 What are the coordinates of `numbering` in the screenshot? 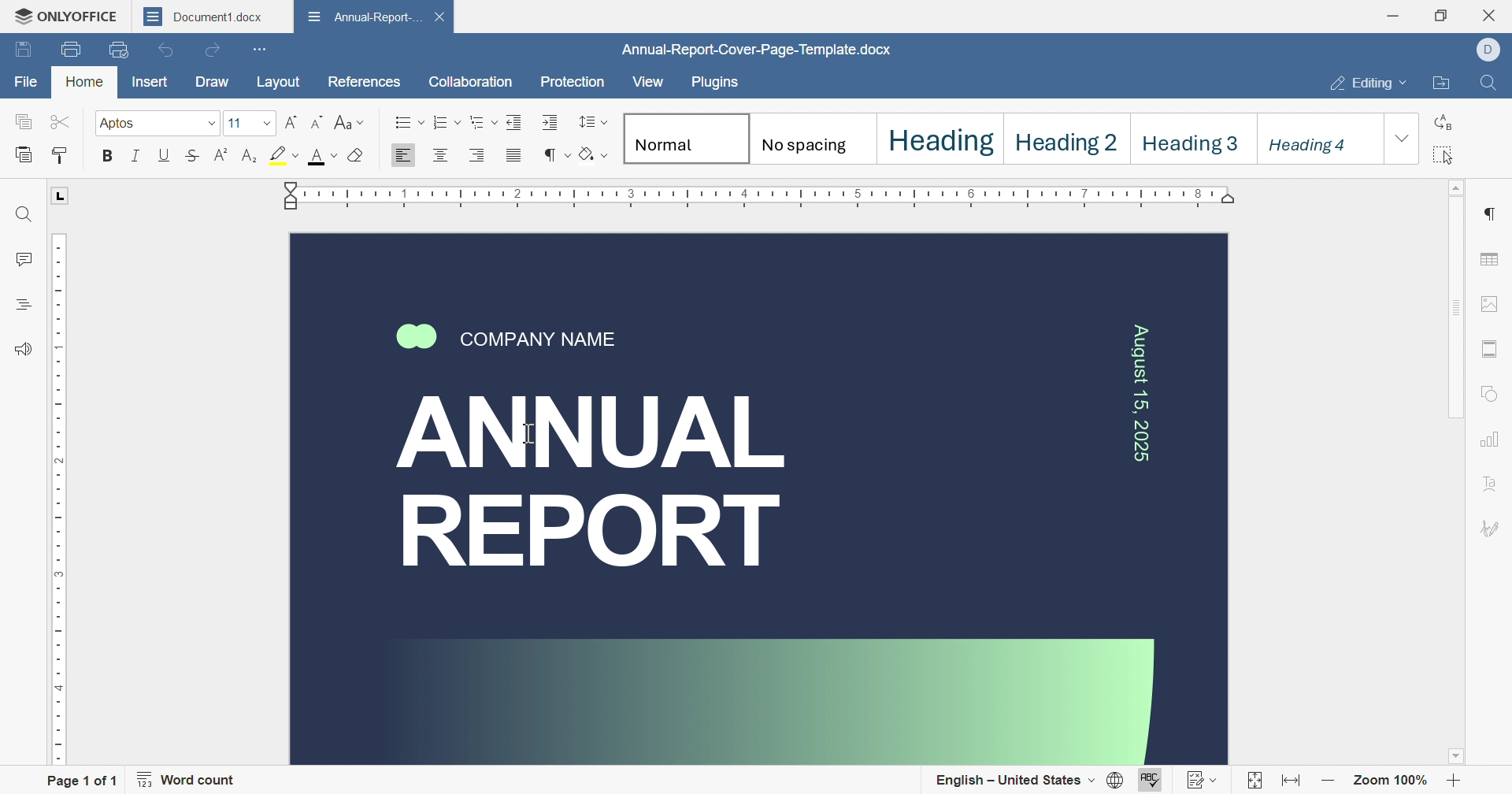 It's located at (447, 121).